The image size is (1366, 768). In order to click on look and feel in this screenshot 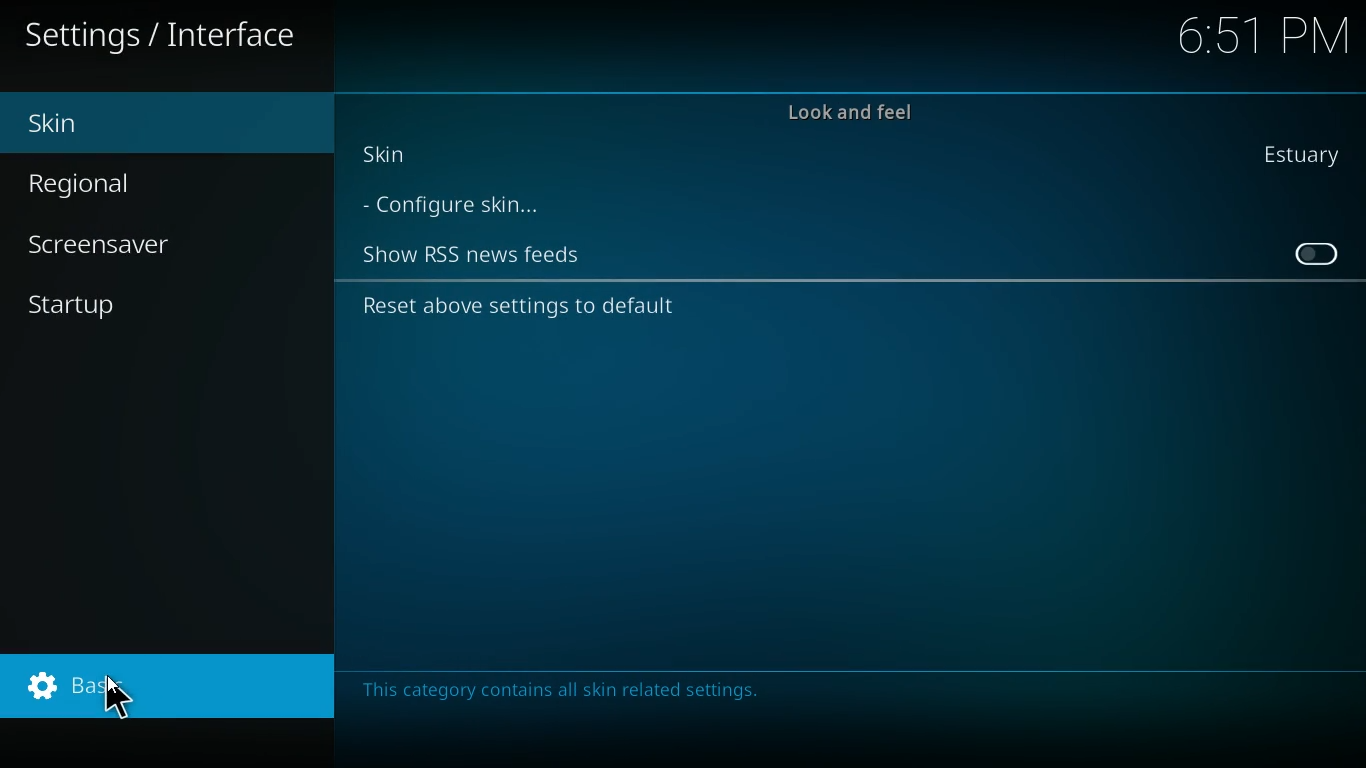, I will do `click(855, 112)`.